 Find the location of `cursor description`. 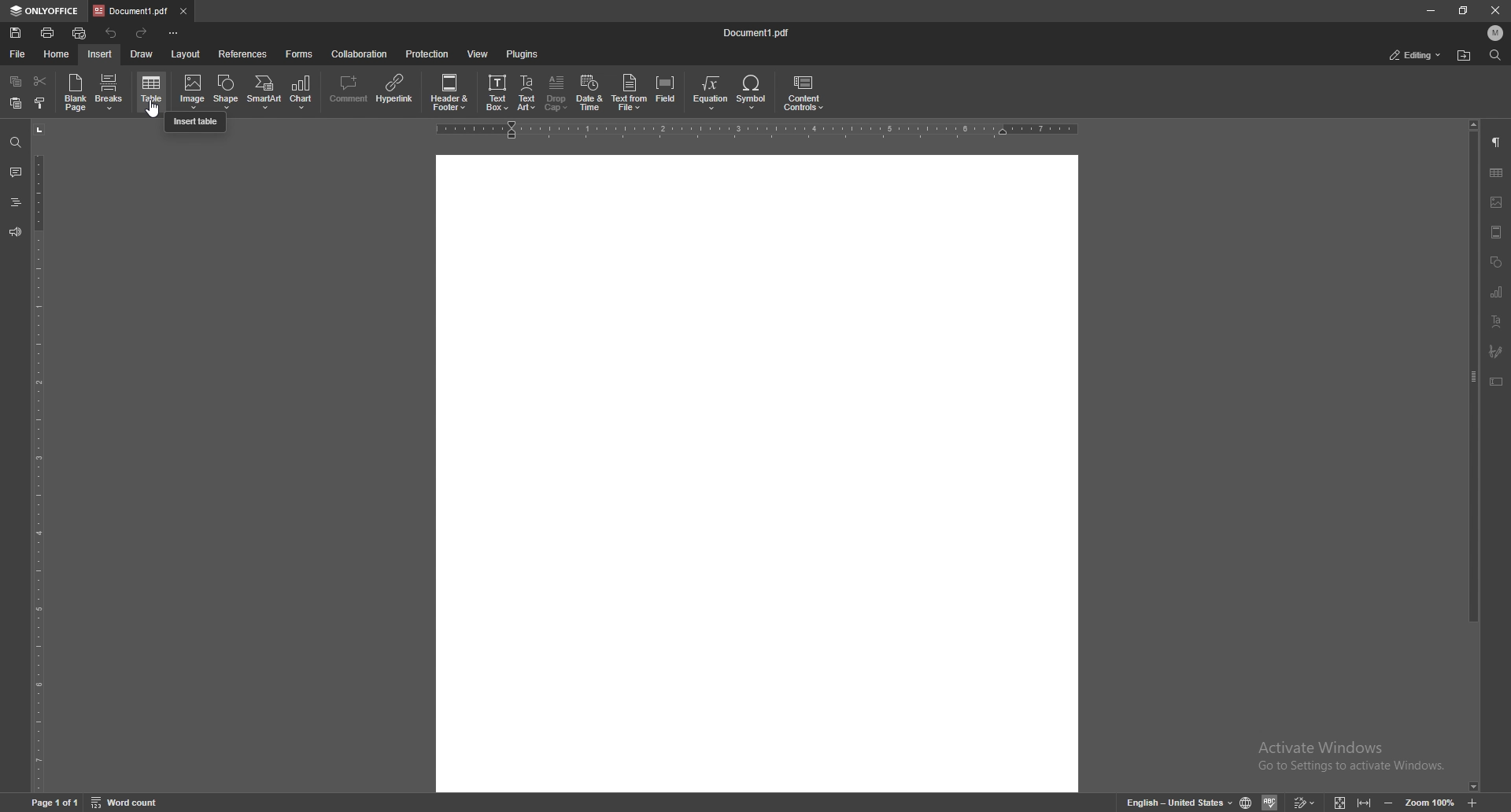

cursor description is located at coordinates (195, 121).